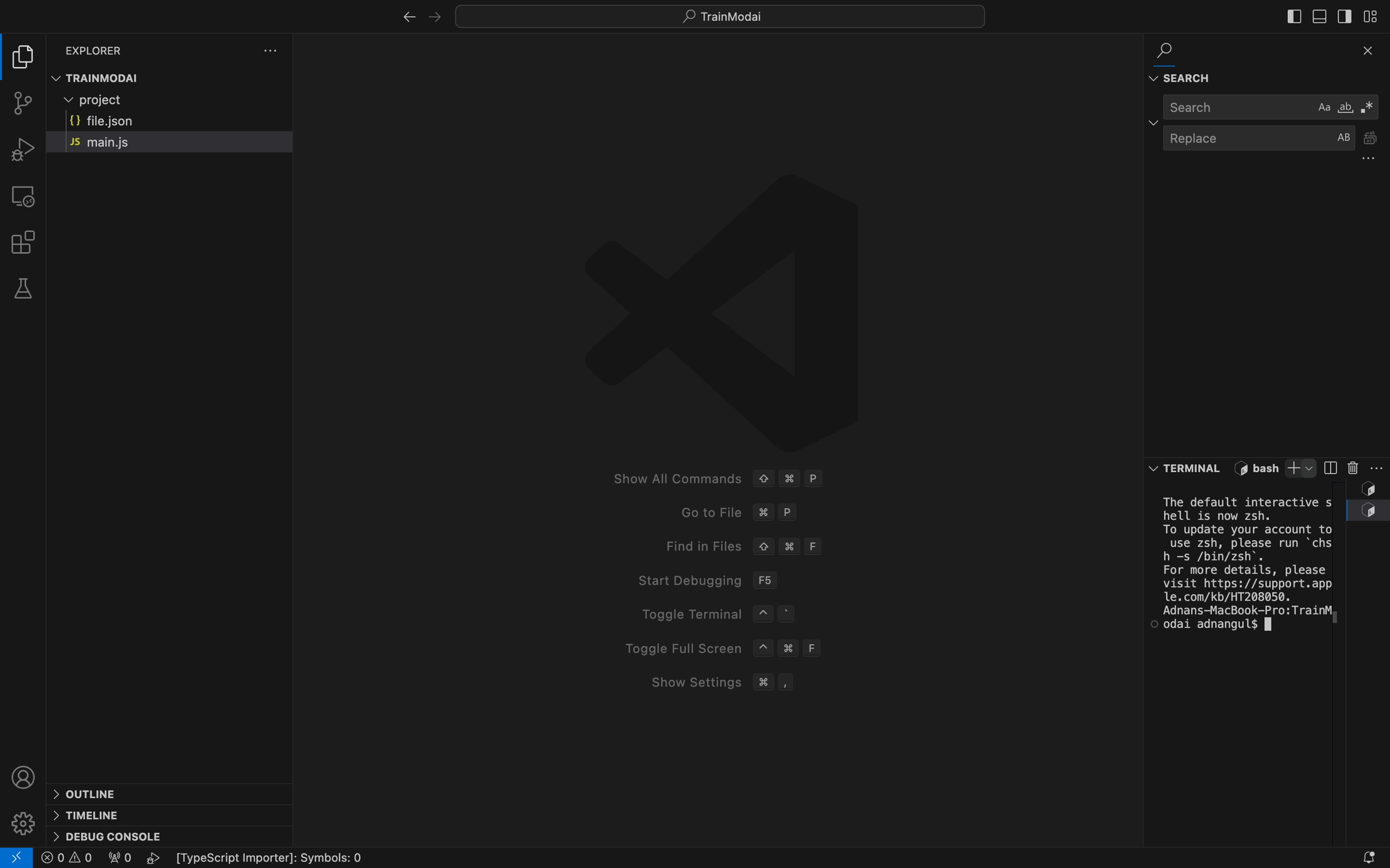 This screenshot has height=868, width=1390. Describe the element at coordinates (777, 649) in the screenshot. I see `Toggle full Screen` at that location.